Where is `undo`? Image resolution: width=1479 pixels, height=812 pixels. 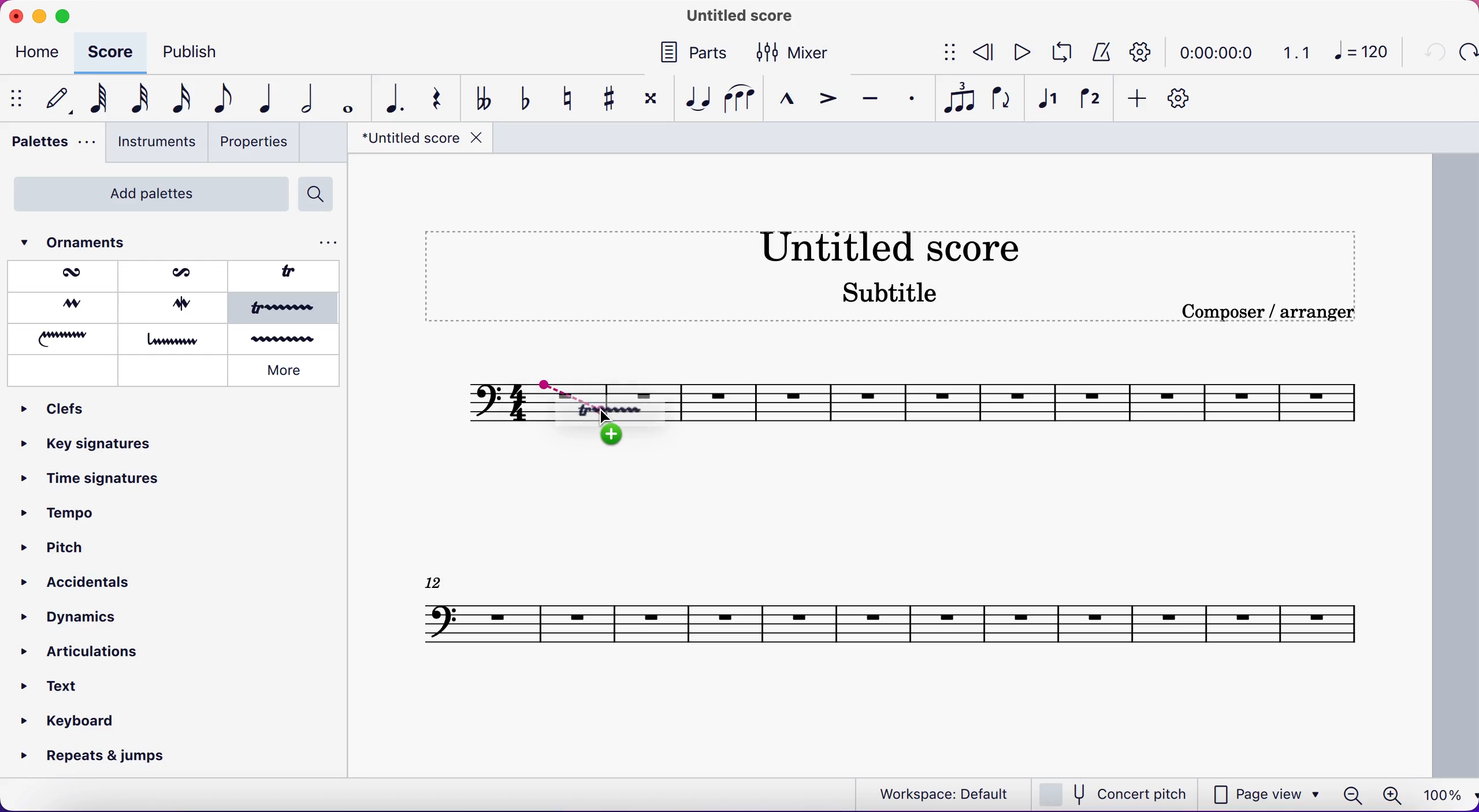
undo is located at coordinates (1432, 54).